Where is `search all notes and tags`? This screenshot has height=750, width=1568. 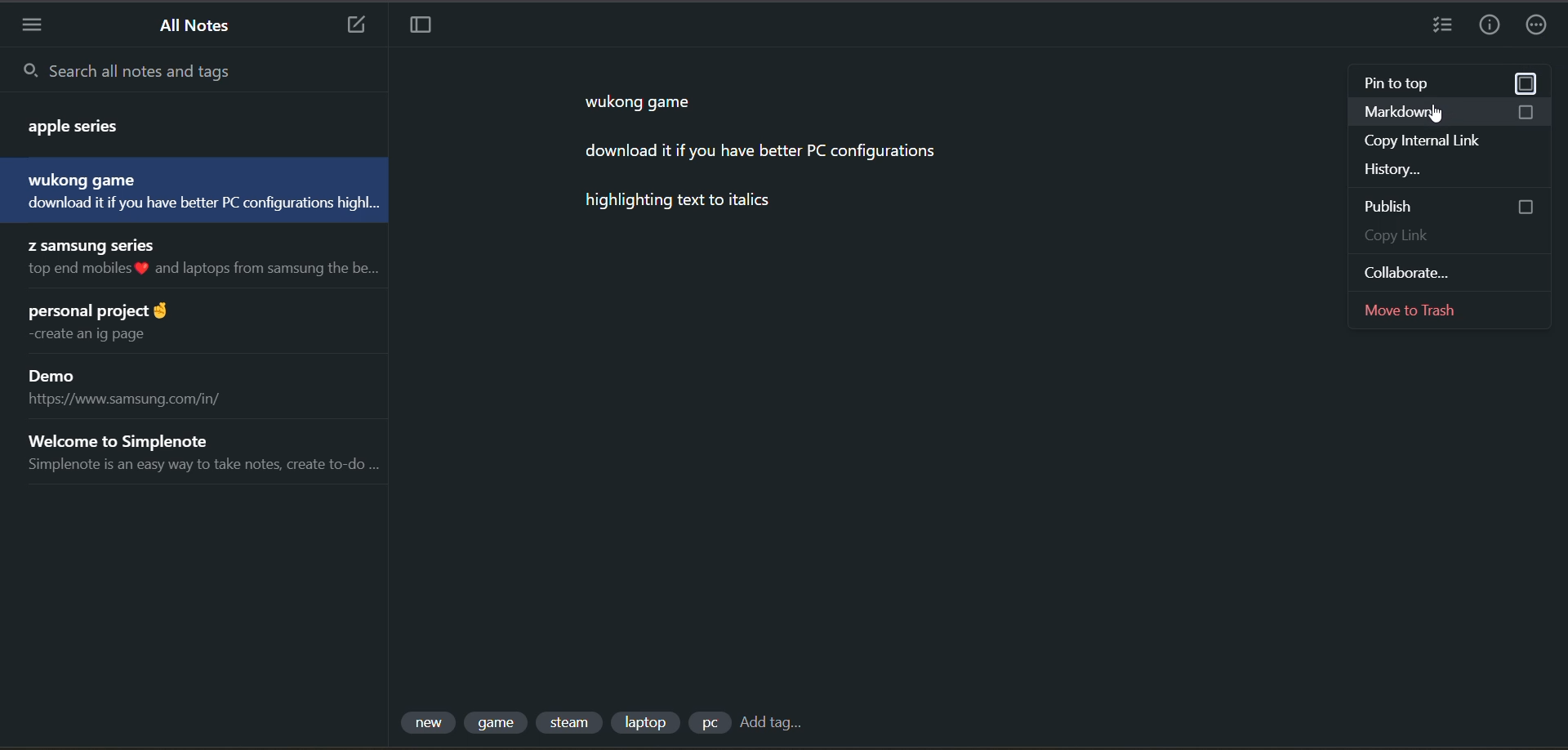
search all notes and tags is located at coordinates (198, 69).